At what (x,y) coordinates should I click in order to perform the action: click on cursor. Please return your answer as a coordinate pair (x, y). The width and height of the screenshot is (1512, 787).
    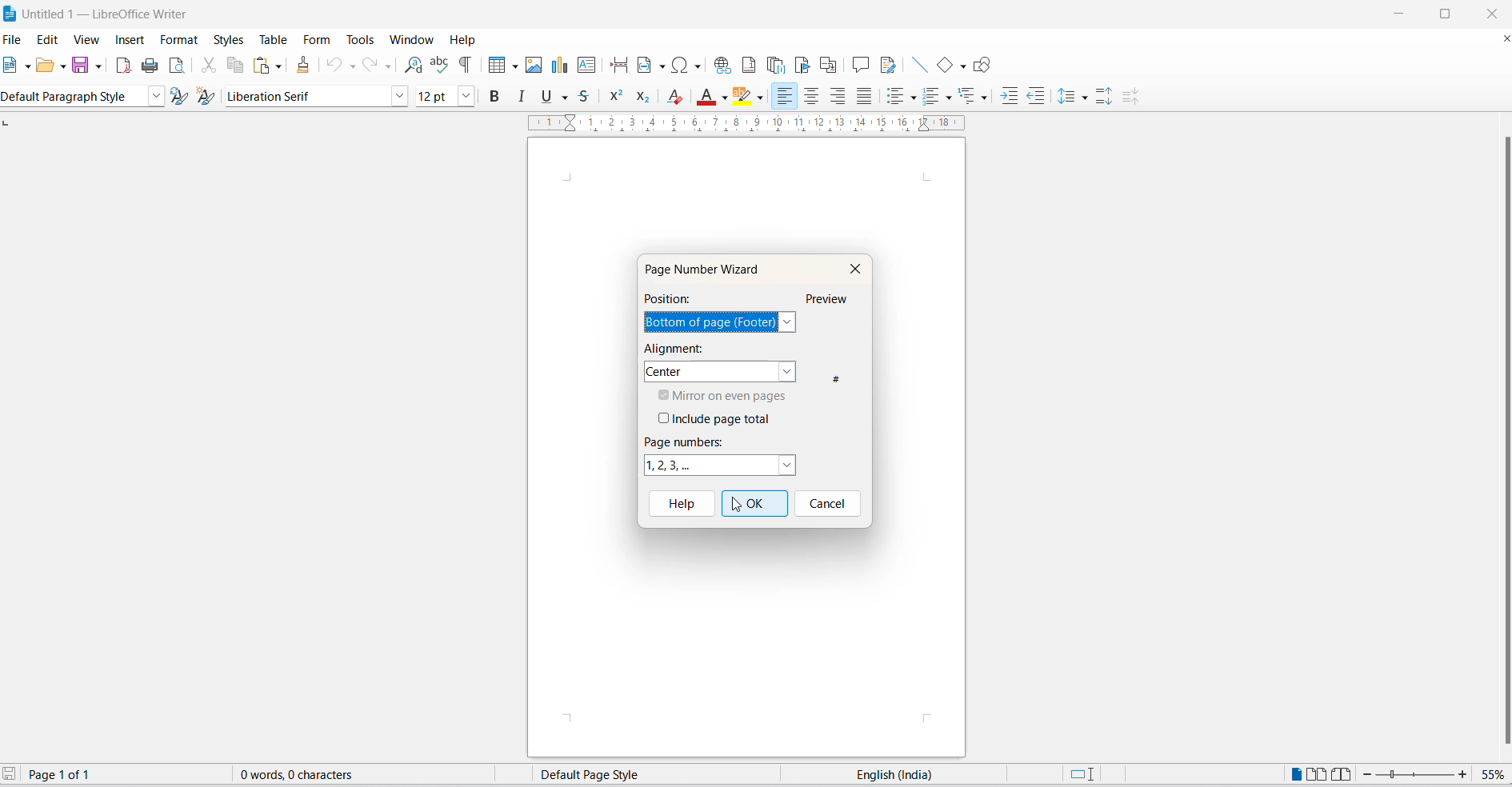
    Looking at the image, I should click on (736, 508).